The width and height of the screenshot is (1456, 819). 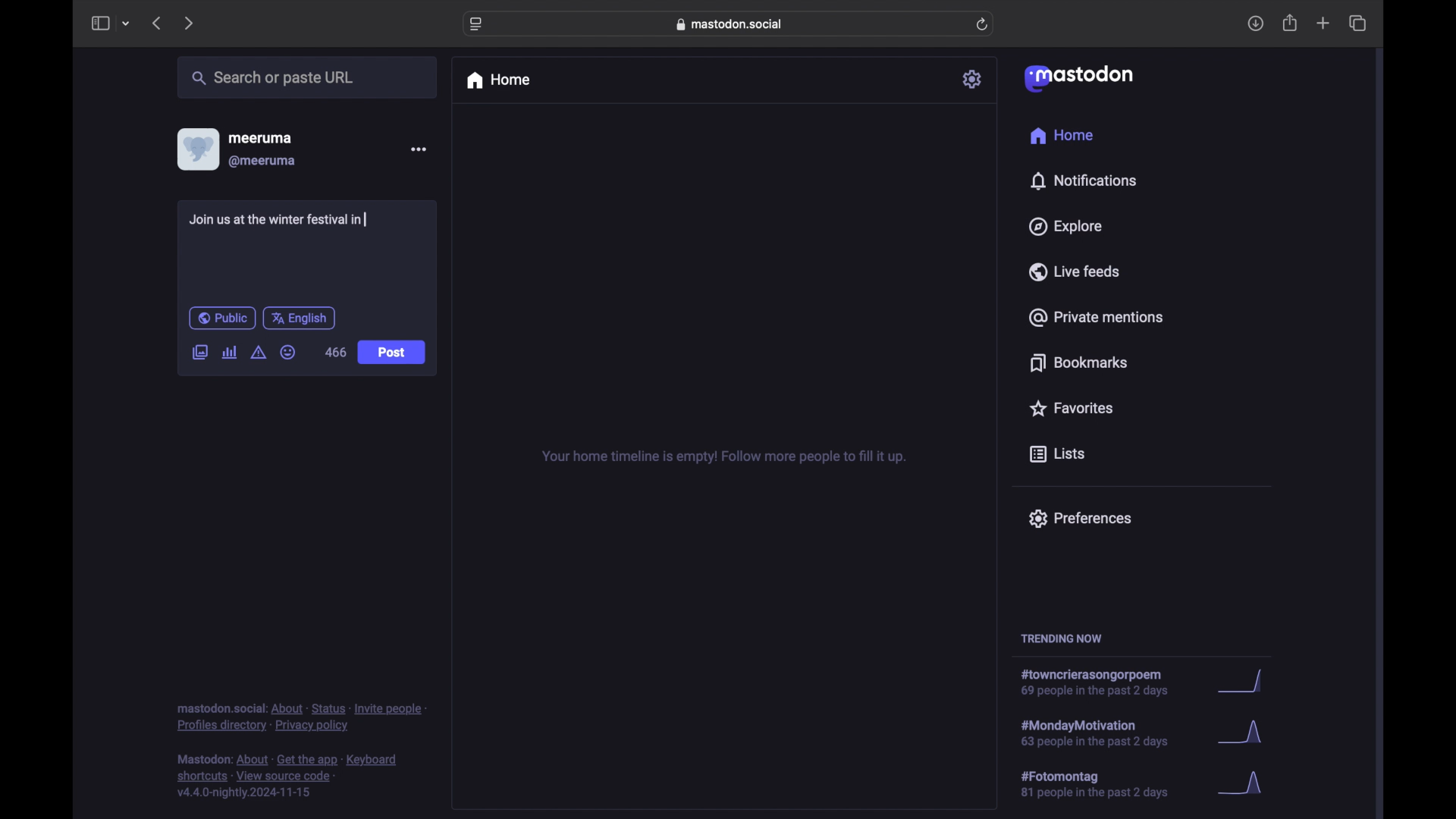 I want to click on tab group picker, so click(x=126, y=24).